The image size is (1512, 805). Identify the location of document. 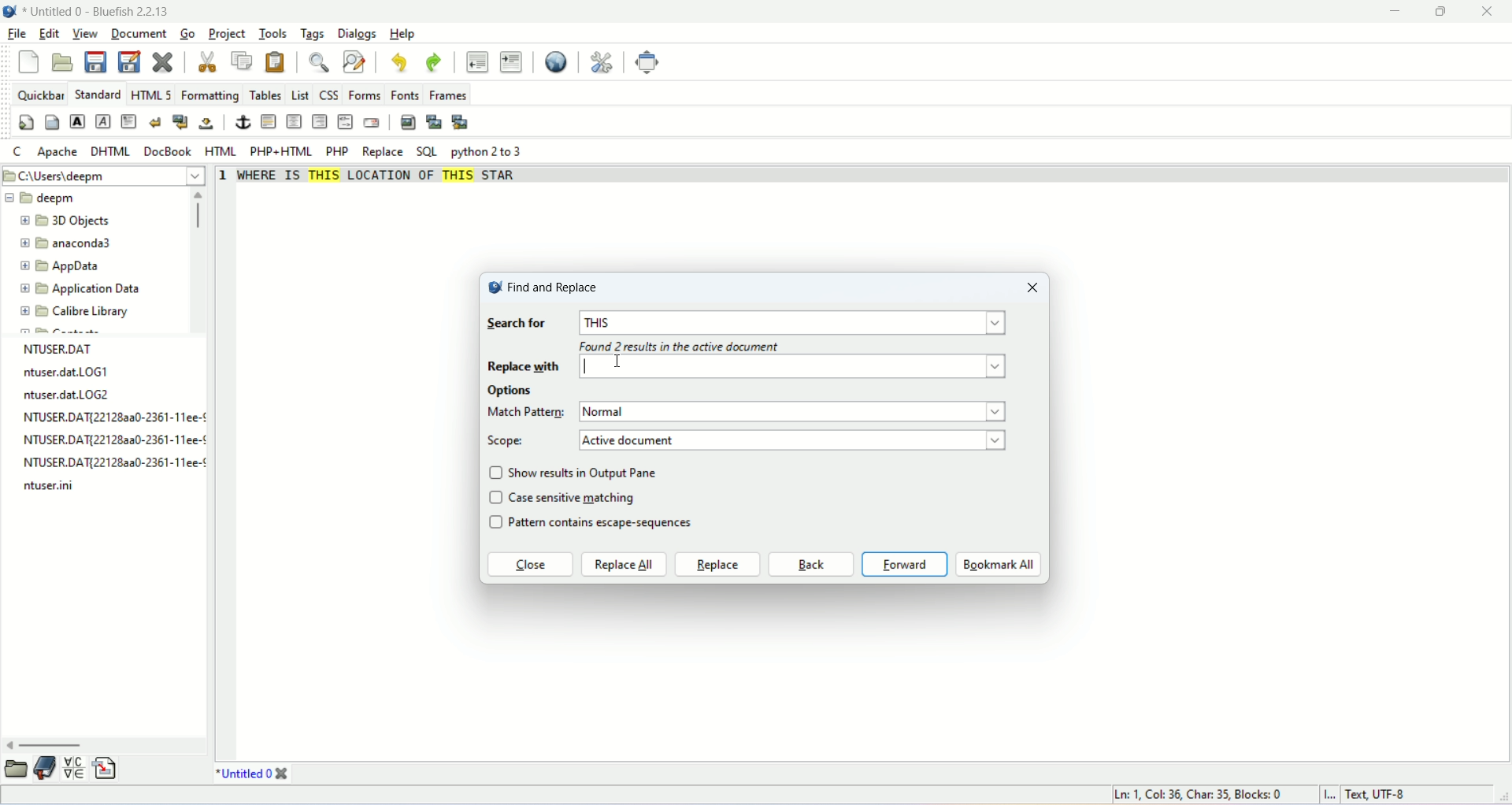
(141, 33).